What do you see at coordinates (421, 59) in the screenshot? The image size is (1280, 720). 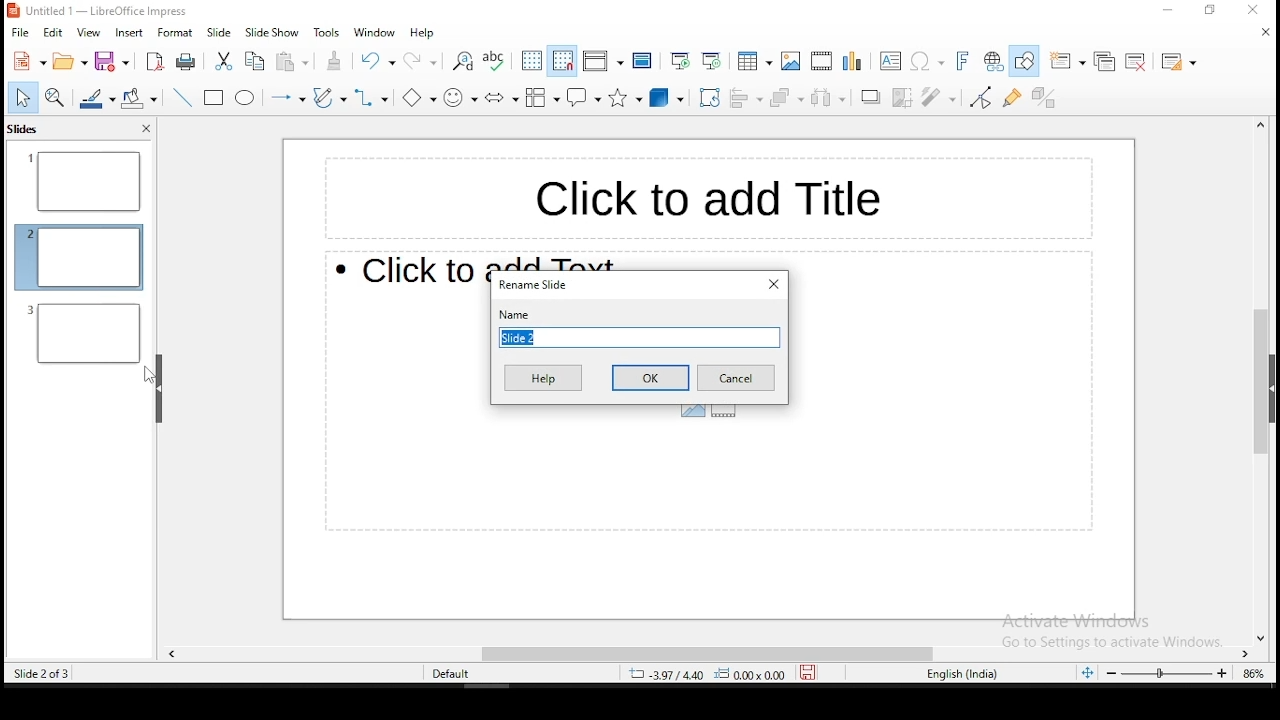 I see `redo` at bounding box center [421, 59].